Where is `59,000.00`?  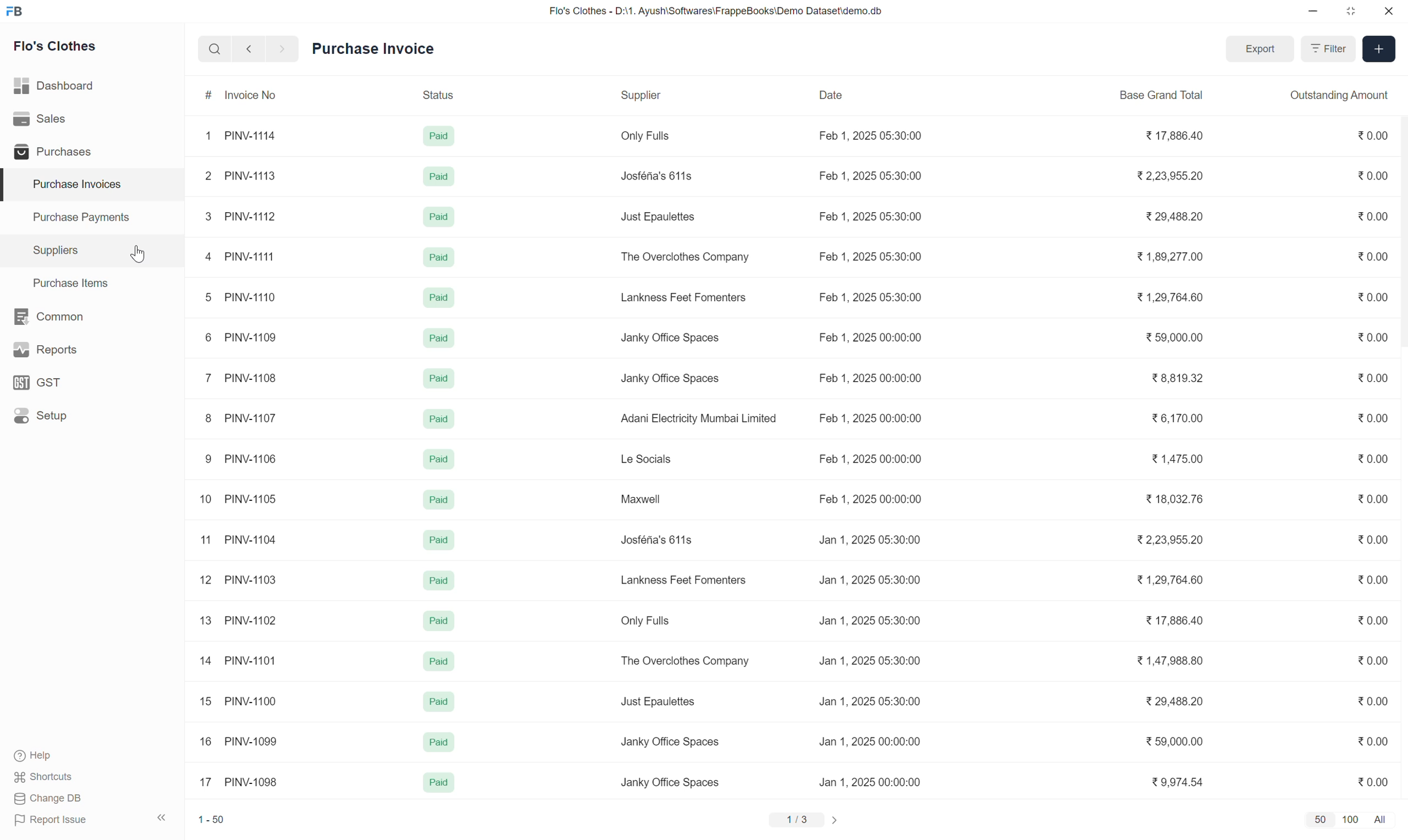
59,000.00 is located at coordinates (1172, 741).